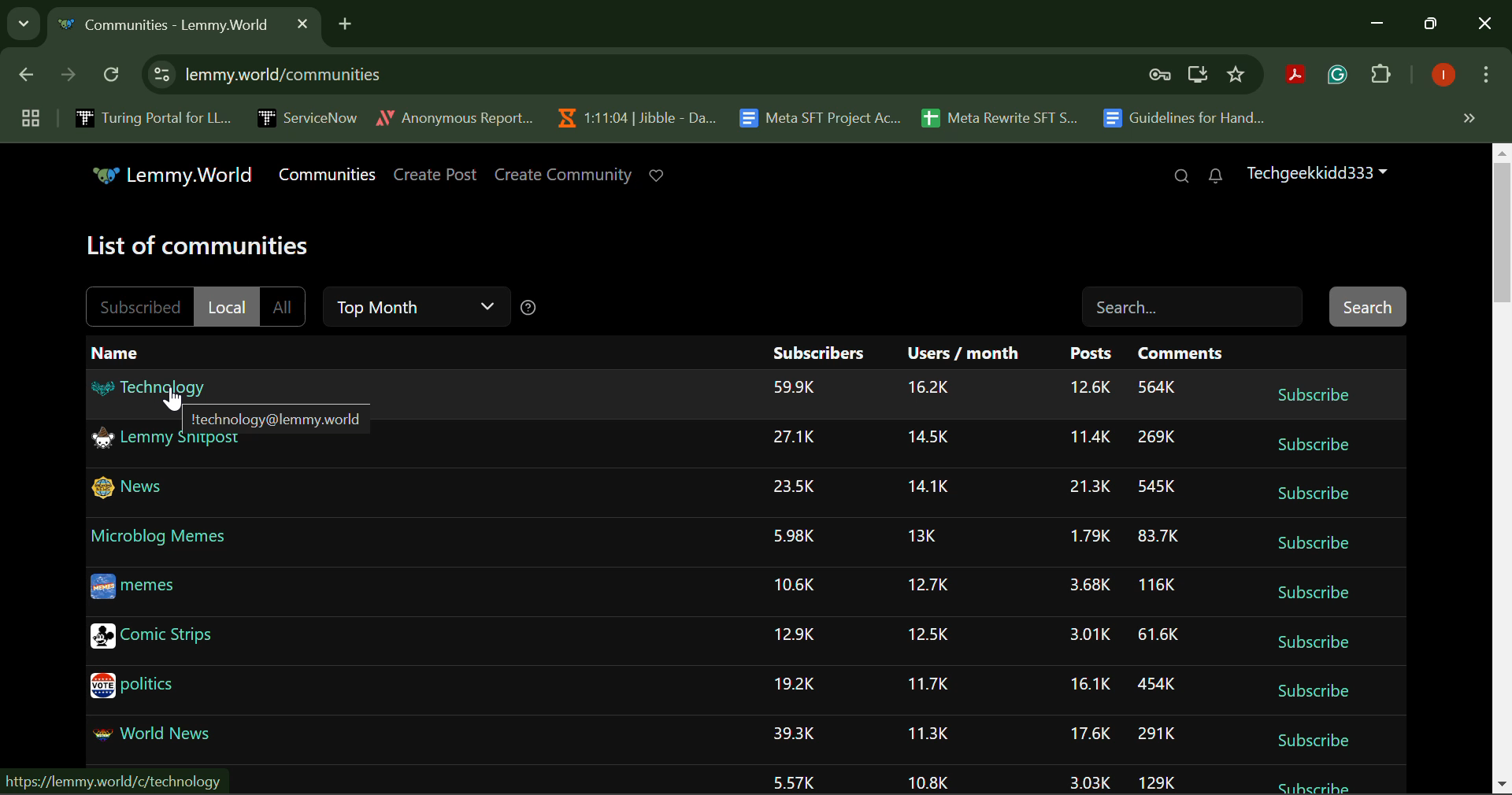 This screenshot has width=1512, height=795. What do you see at coordinates (161, 534) in the screenshot?
I see `Microblog Memes Community Link` at bounding box center [161, 534].